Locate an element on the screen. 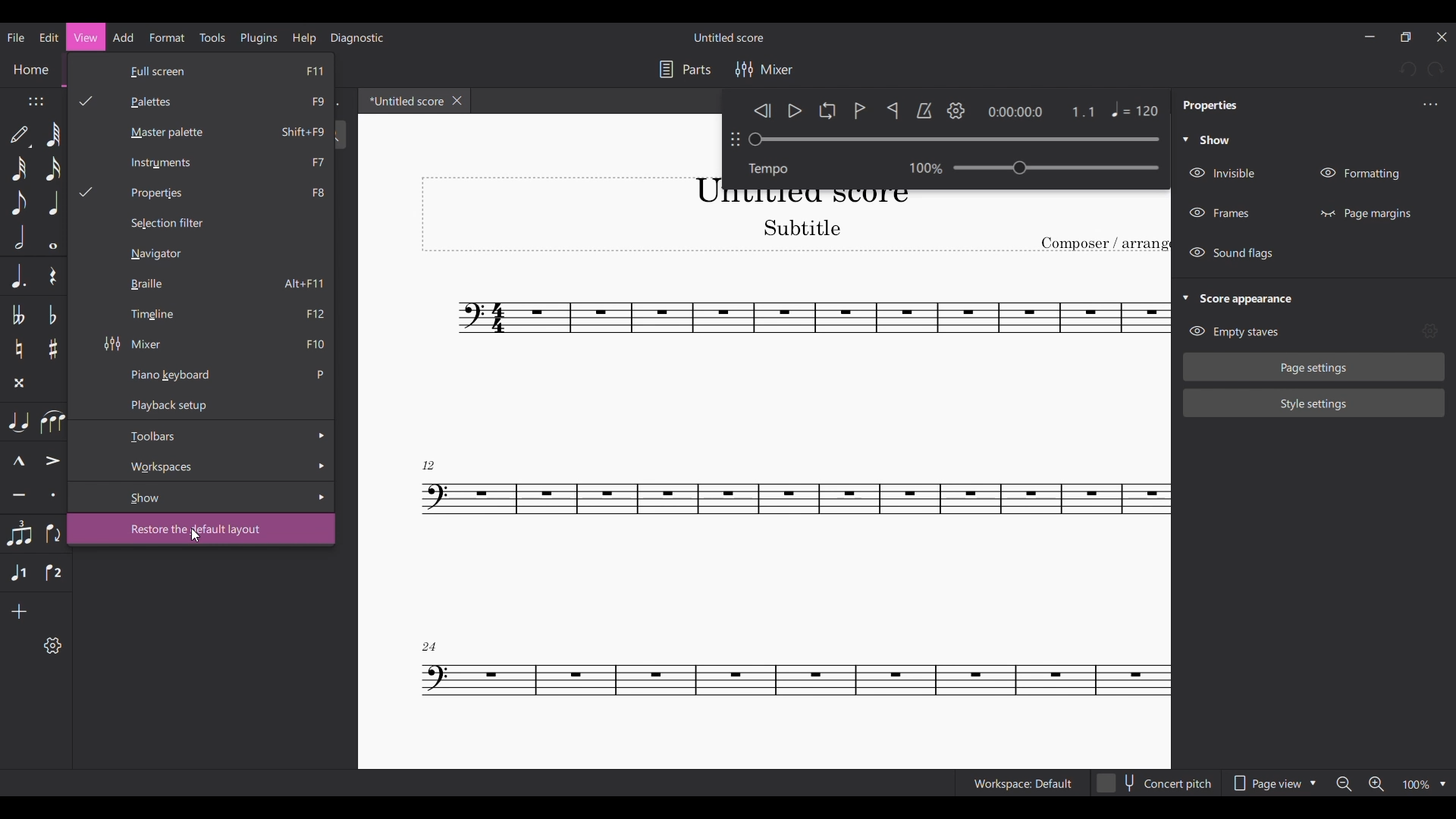 The image size is (1456, 819). Tenuto is located at coordinates (18, 494).